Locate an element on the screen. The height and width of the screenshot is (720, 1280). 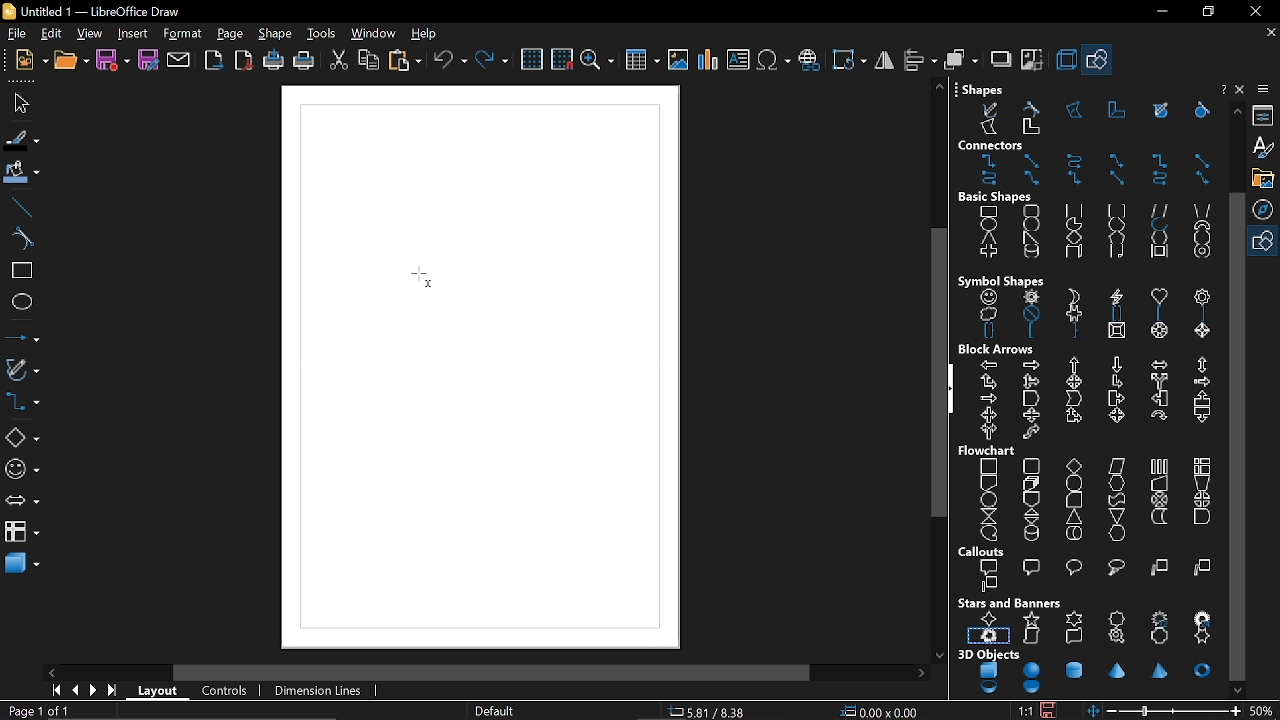
callouts is located at coordinates (1090, 569).